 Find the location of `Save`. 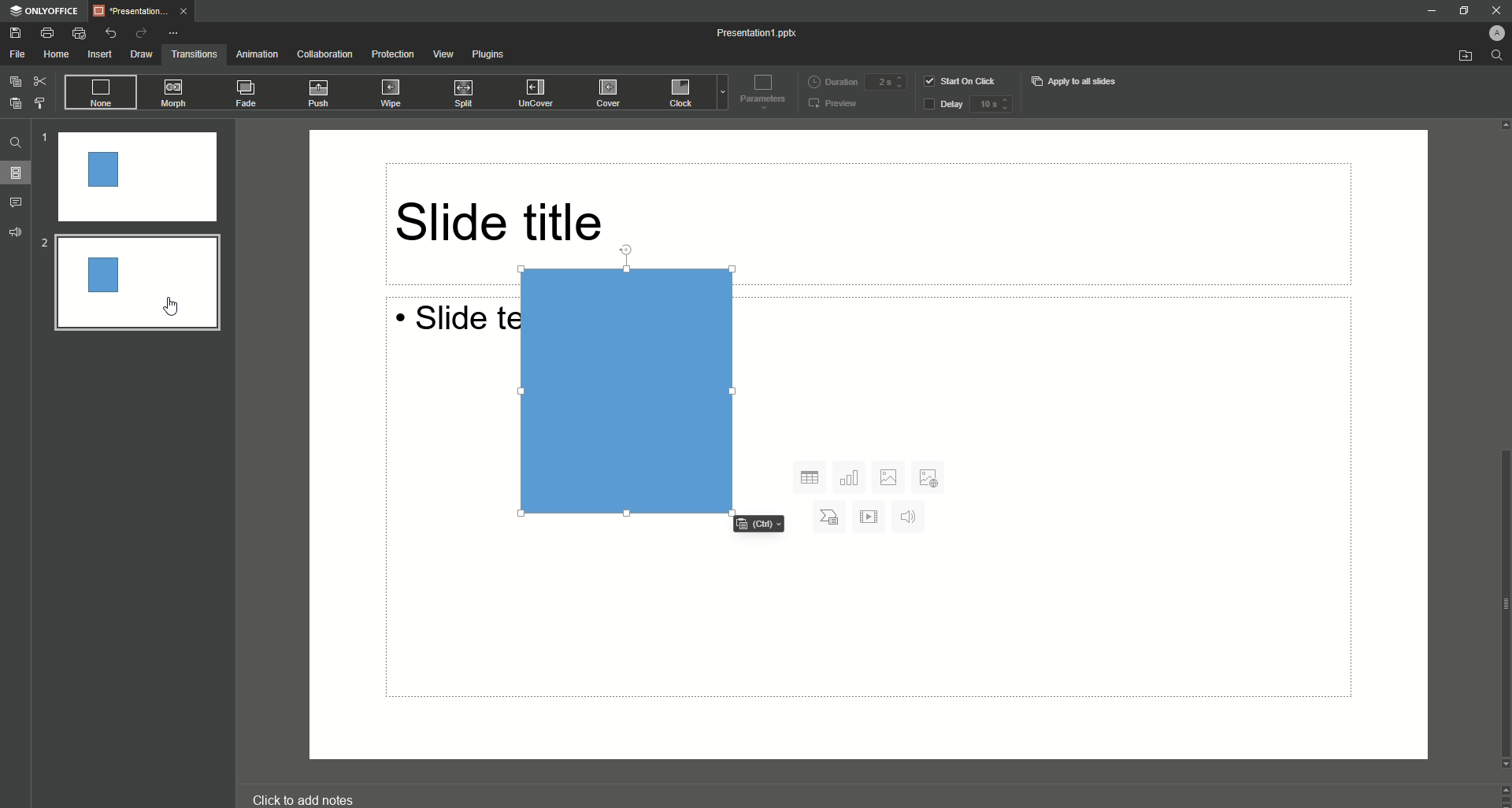

Save is located at coordinates (16, 32).